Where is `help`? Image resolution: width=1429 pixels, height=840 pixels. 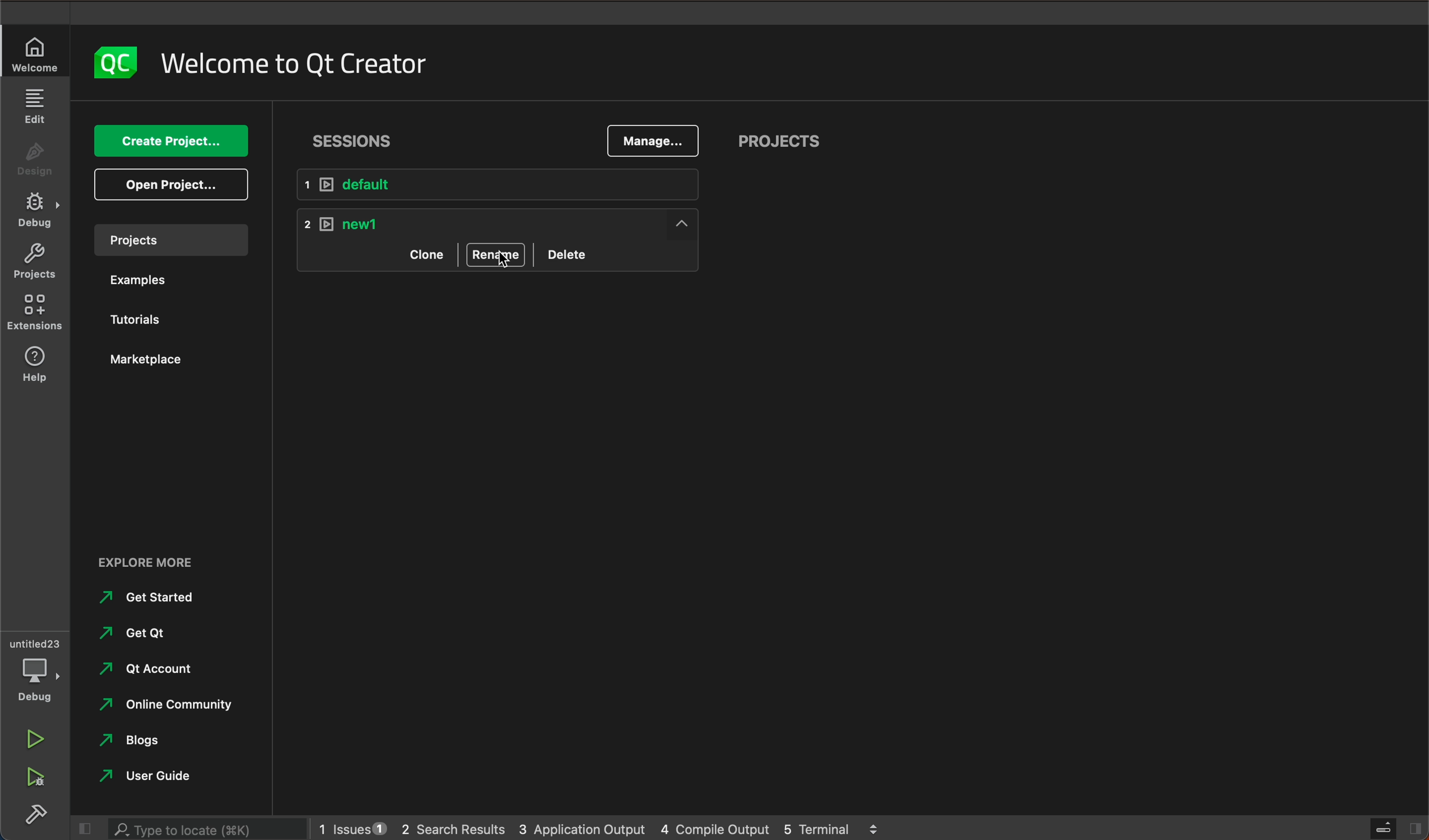
help is located at coordinates (31, 363).